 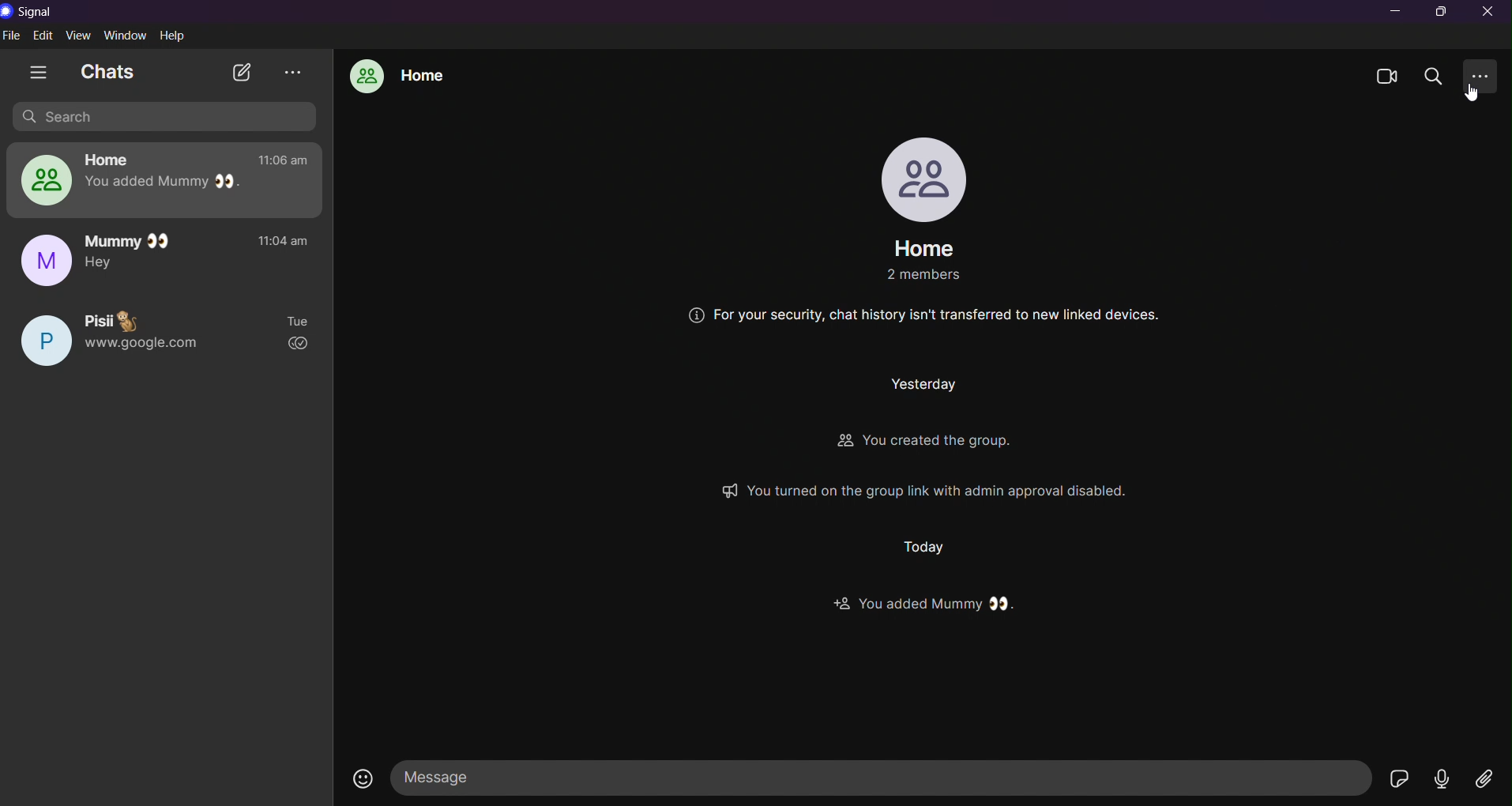 What do you see at coordinates (931, 546) in the screenshot?
I see `Today` at bounding box center [931, 546].